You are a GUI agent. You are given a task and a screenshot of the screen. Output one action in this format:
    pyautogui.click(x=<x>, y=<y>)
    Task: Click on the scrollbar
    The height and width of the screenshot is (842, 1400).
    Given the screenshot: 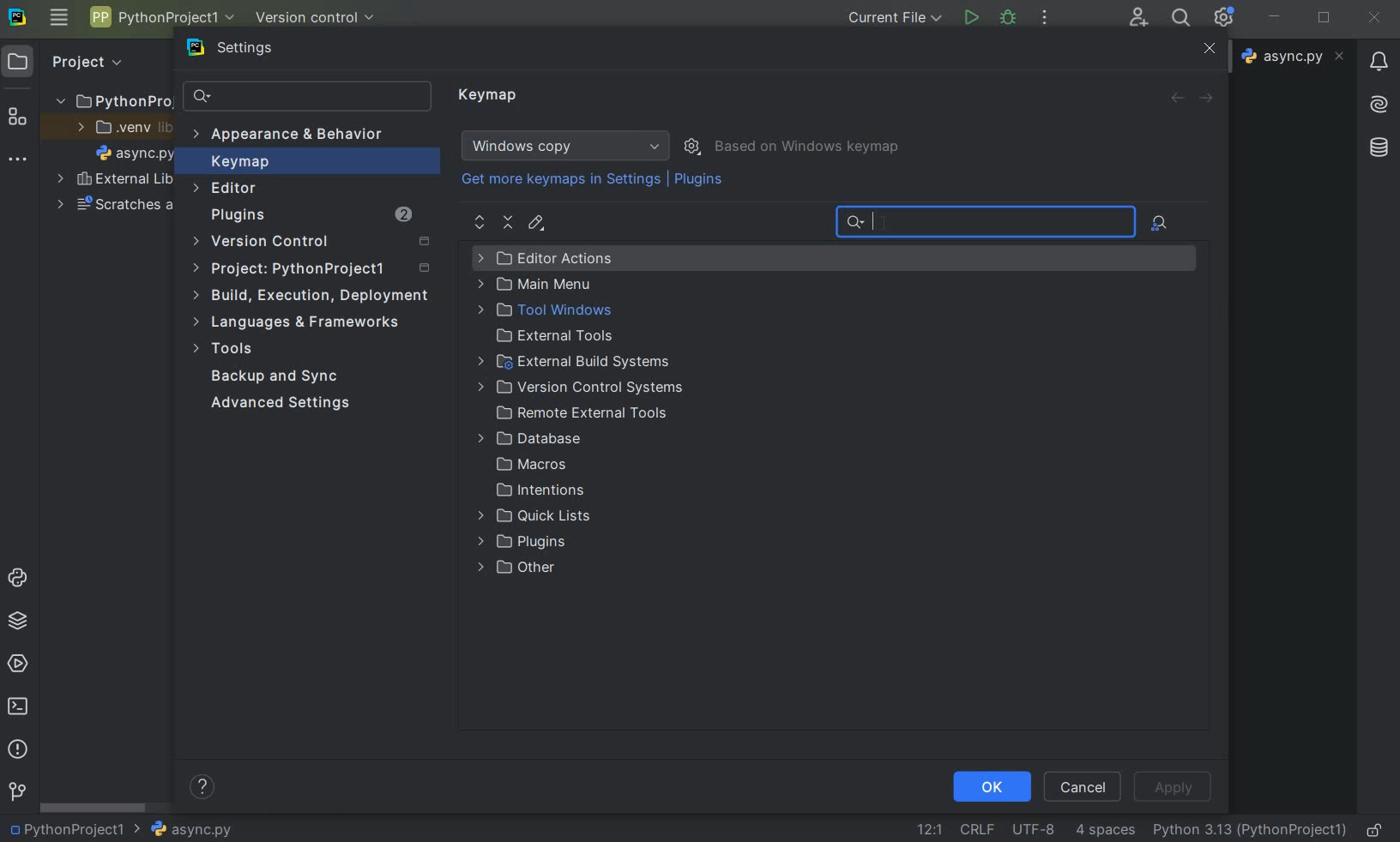 What is the action you would take?
    pyautogui.click(x=94, y=808)
    